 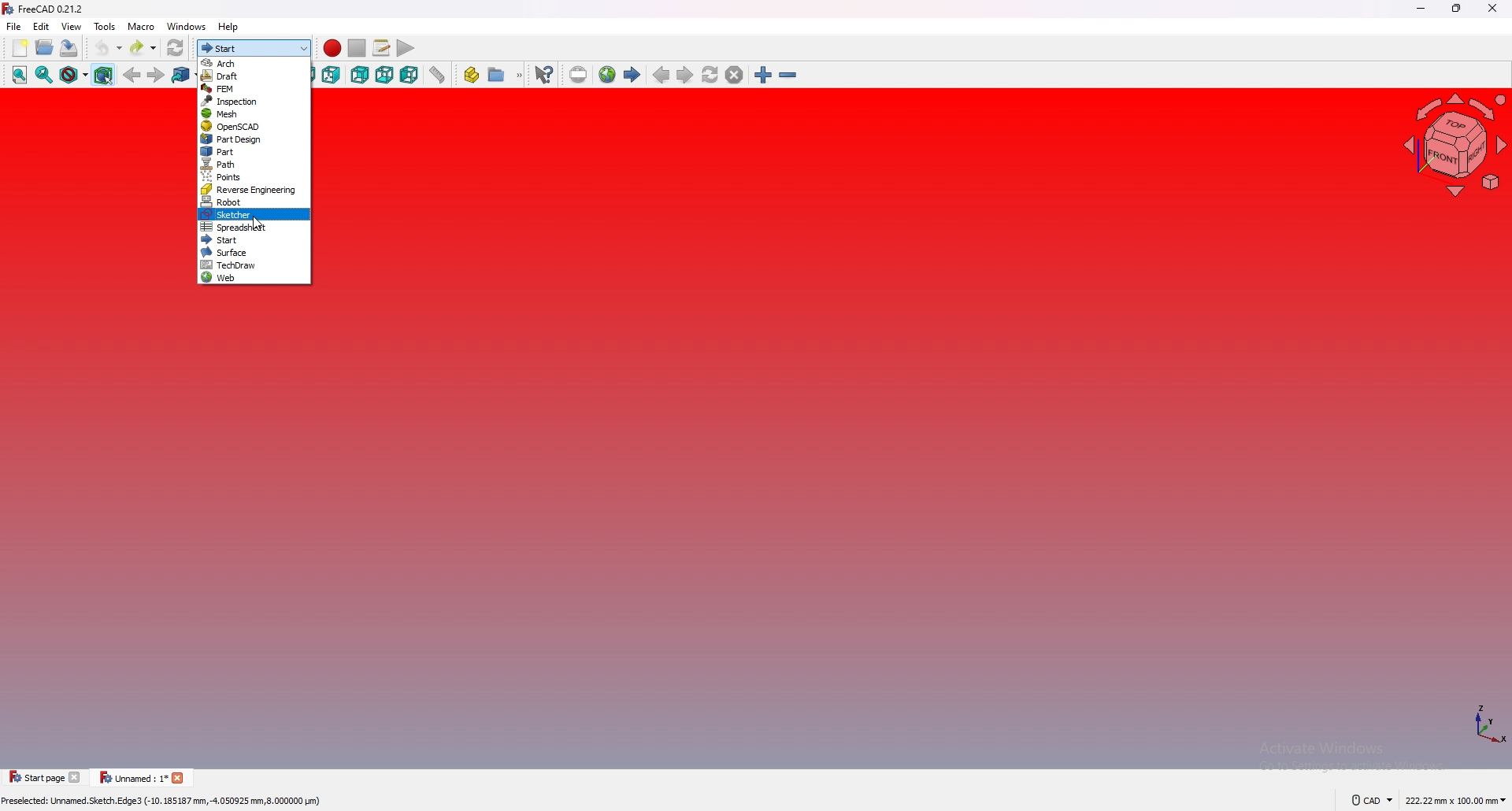 I want to click on set url, so click(x=578, y=75).